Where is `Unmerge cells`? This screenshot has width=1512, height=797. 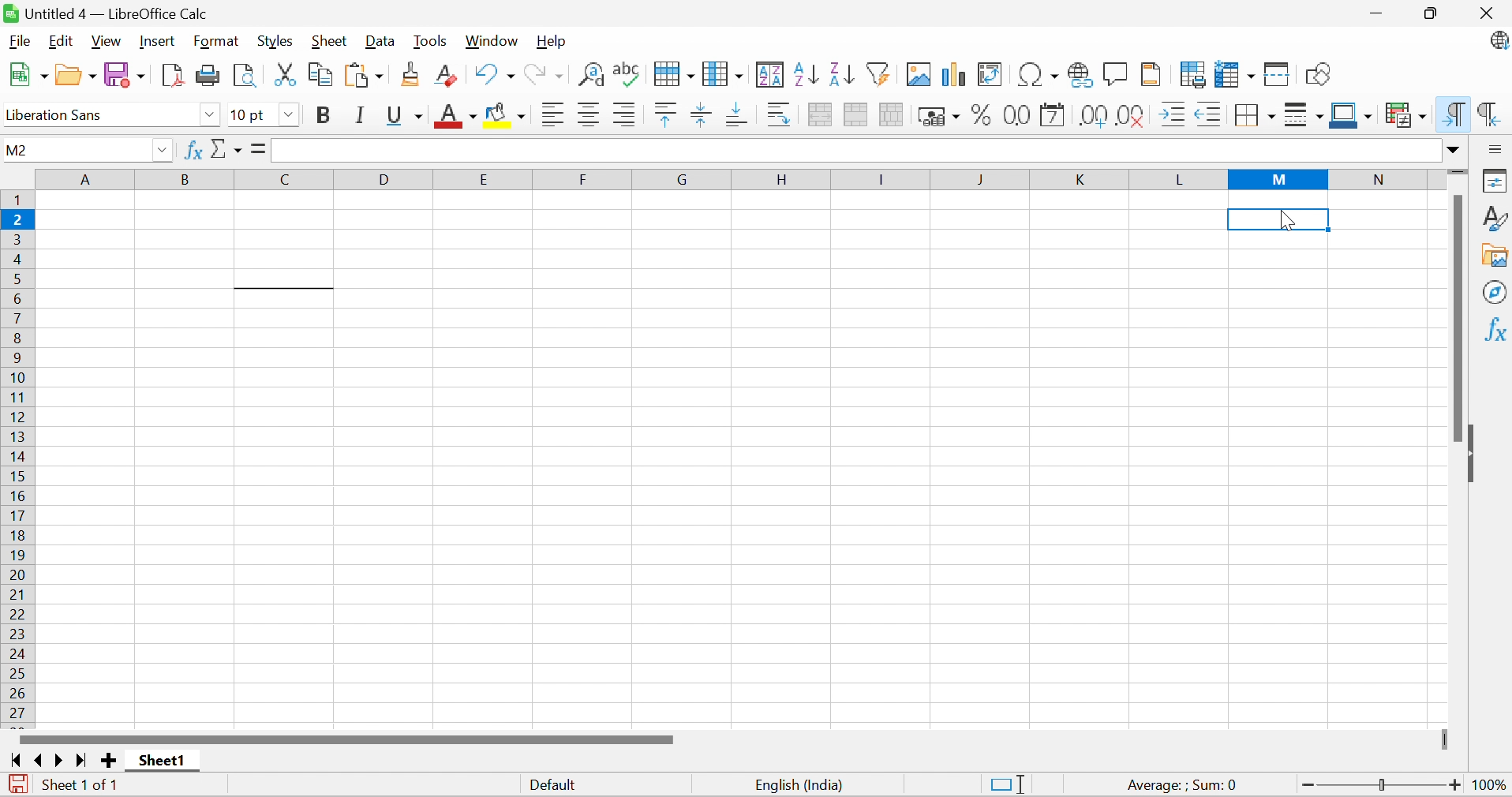
Unmerge cells is located at coordinates (891, 113).